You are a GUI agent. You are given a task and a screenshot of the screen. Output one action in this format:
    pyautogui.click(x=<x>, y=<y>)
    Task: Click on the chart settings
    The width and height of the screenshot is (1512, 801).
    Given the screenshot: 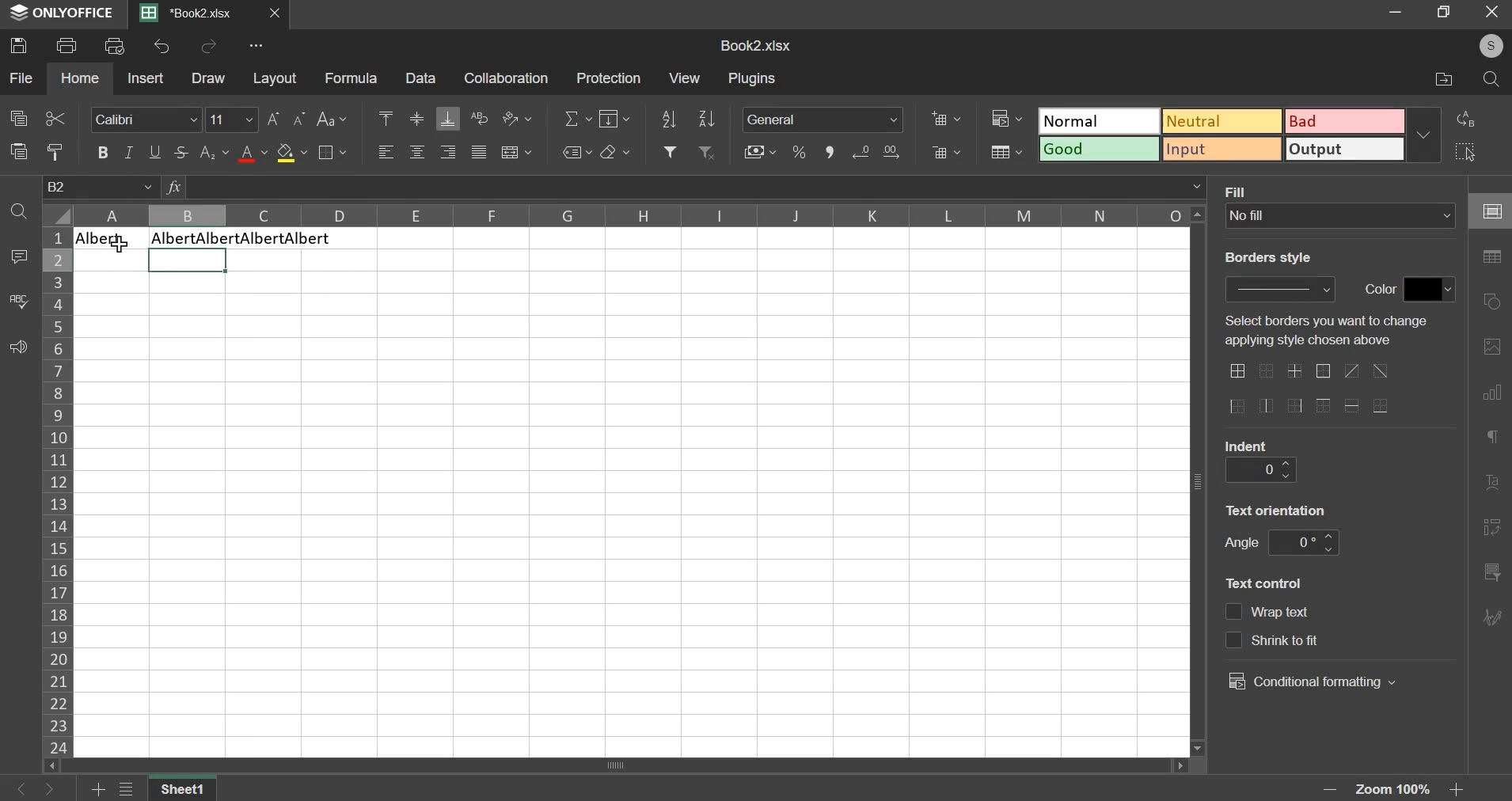 What is the action you would take?
    pyautogui.click(x=1492, y=392)
    